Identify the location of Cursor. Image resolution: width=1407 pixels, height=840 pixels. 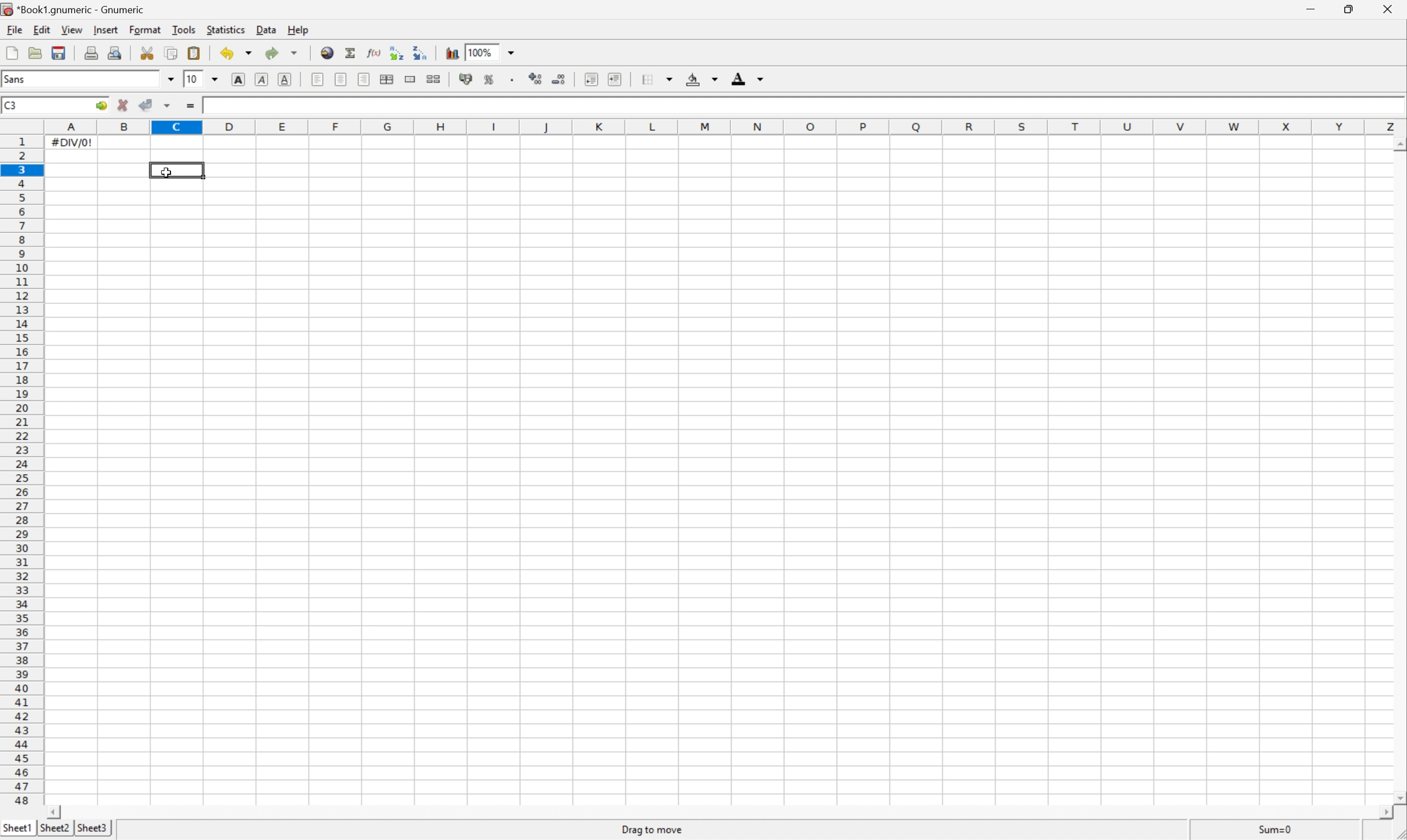
(168, 172).